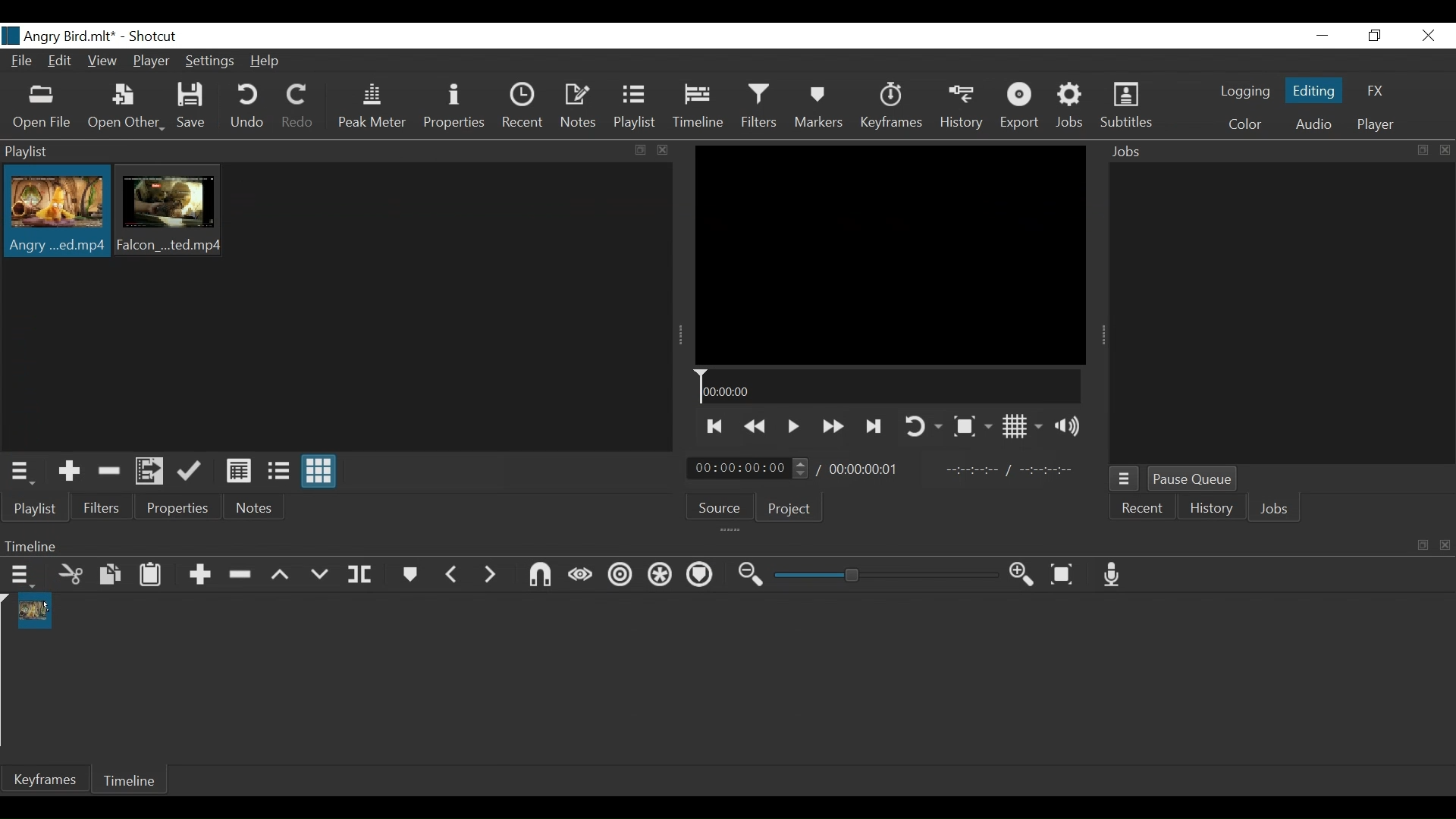  I want to click on History, so click(1210, 507).